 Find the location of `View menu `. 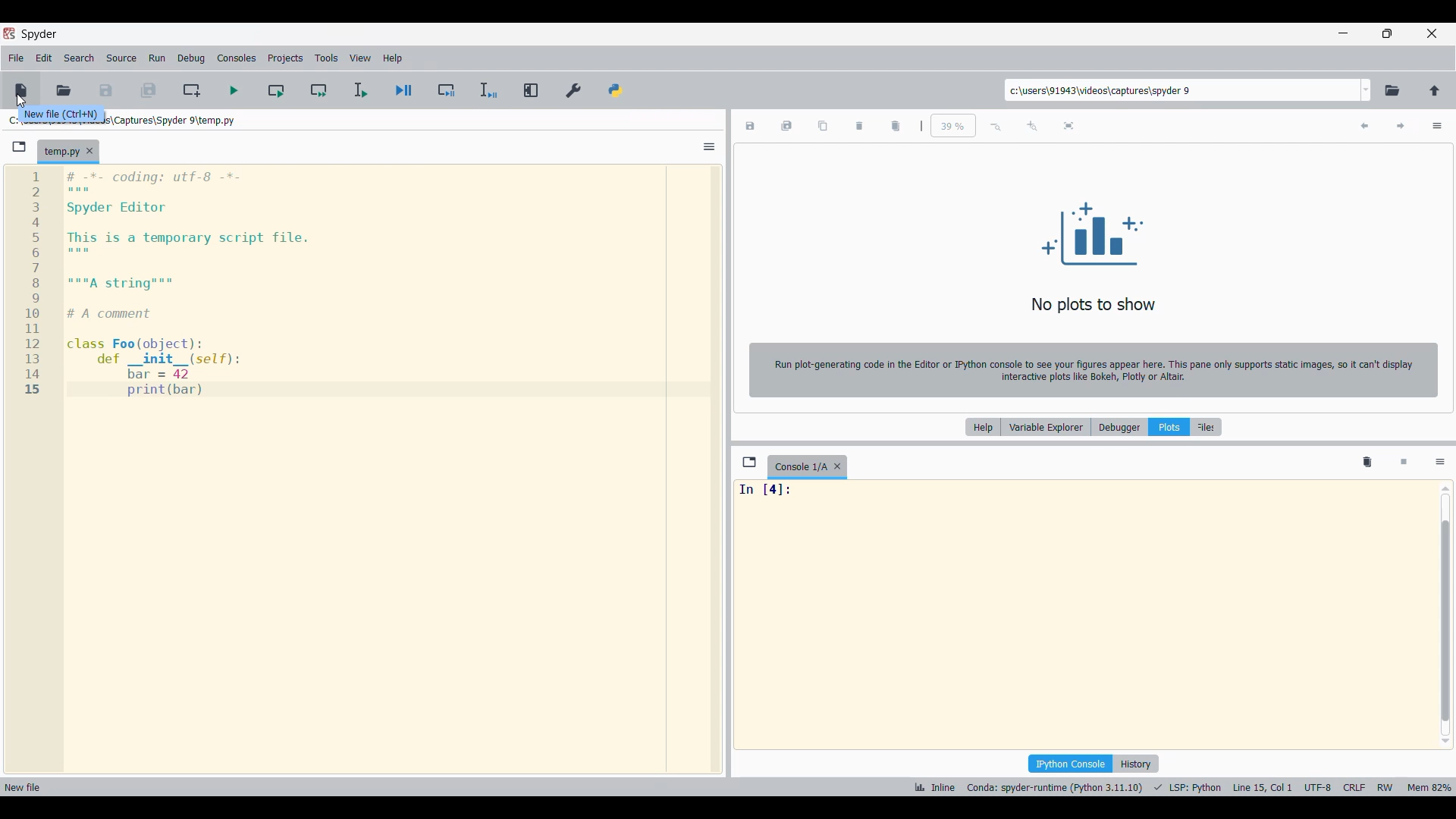

View menu  is located at coordinates (361, 58).